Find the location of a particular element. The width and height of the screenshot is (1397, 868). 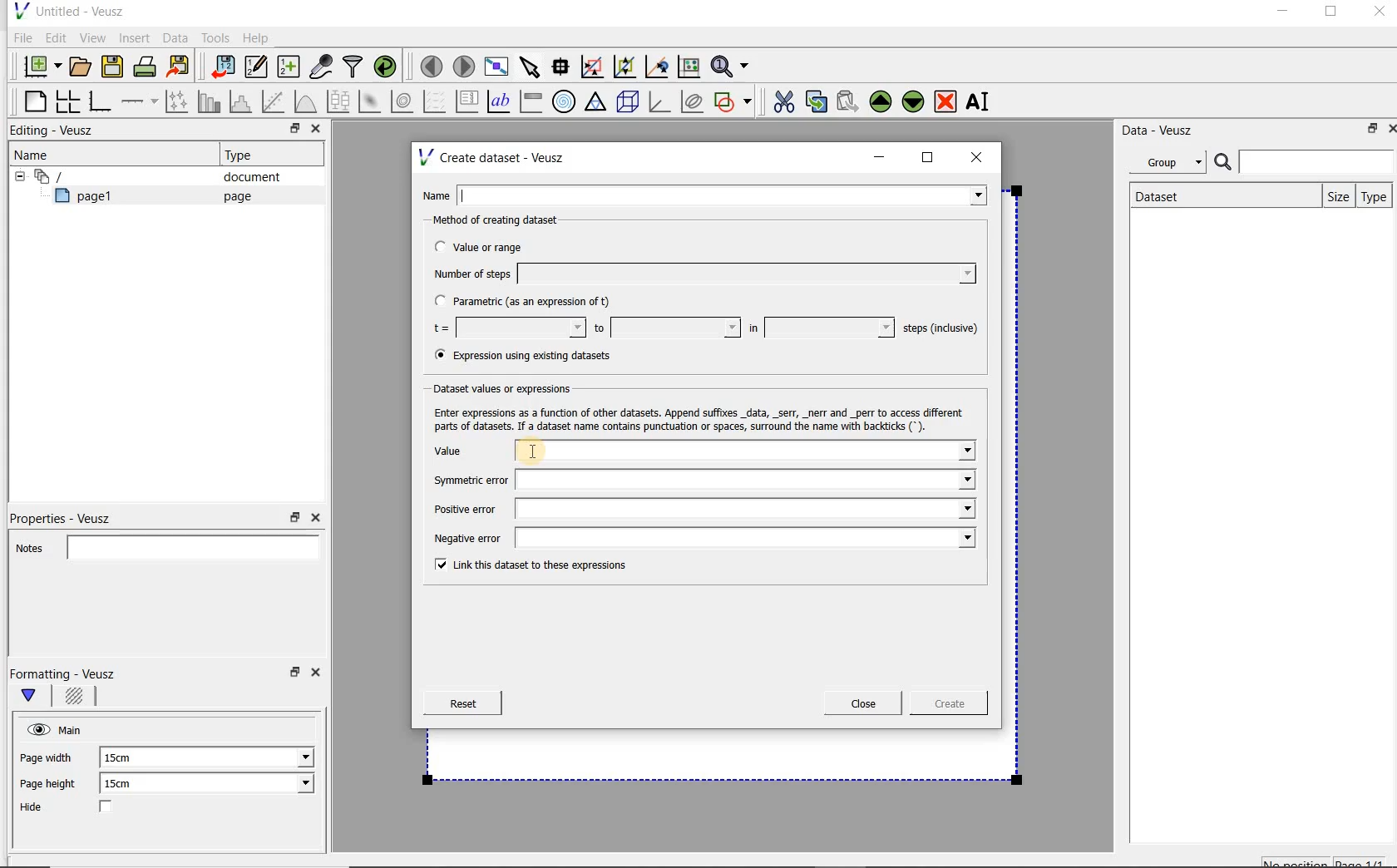

Untitled - Veusz is located at coordinates (67, 10).